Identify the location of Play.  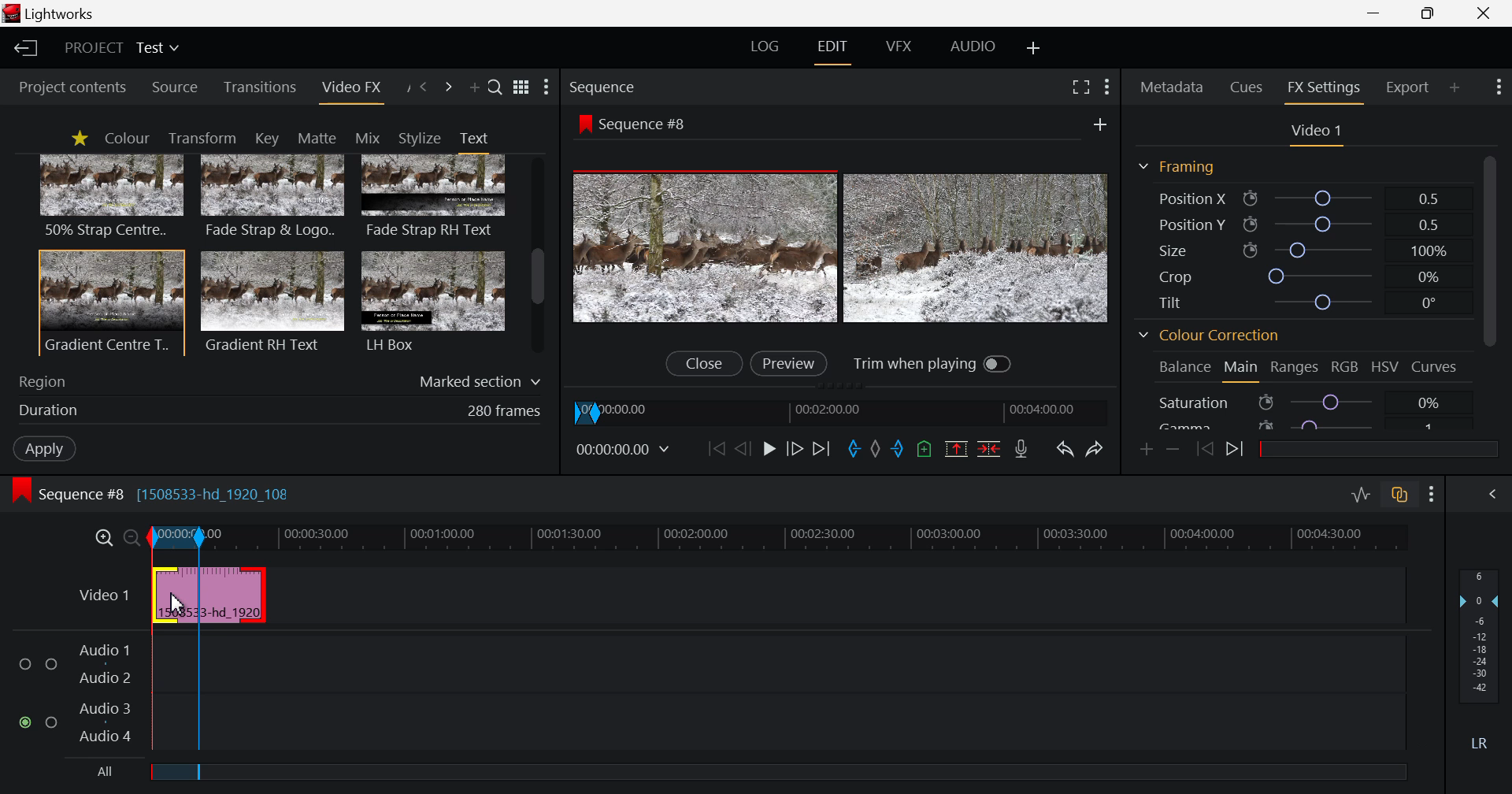
(769, 450).